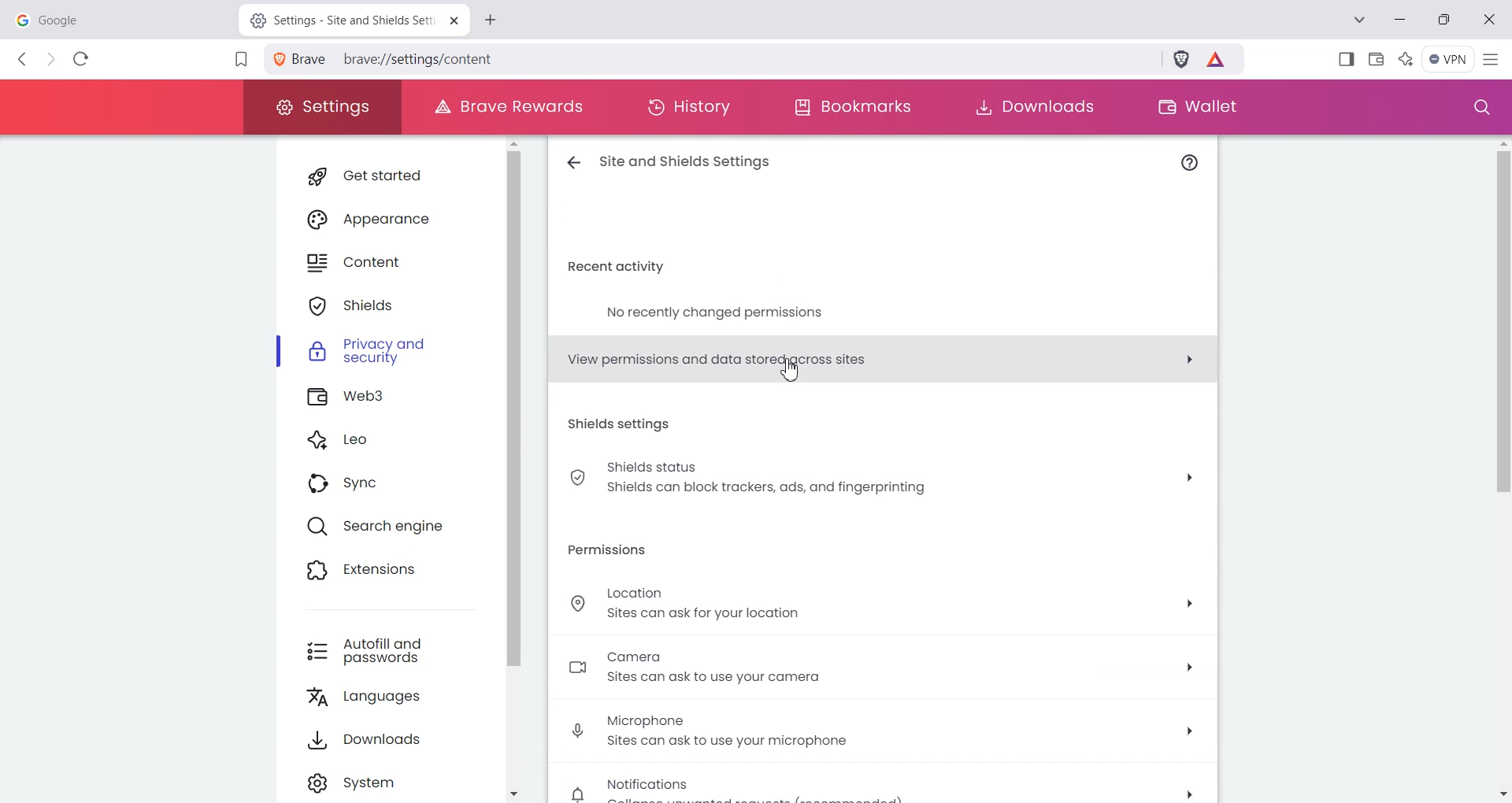 This screenshot has height=803, width=1512. Describe the element at coordinates (388, 217) in the screenshot. I see `Appearance` at that location.